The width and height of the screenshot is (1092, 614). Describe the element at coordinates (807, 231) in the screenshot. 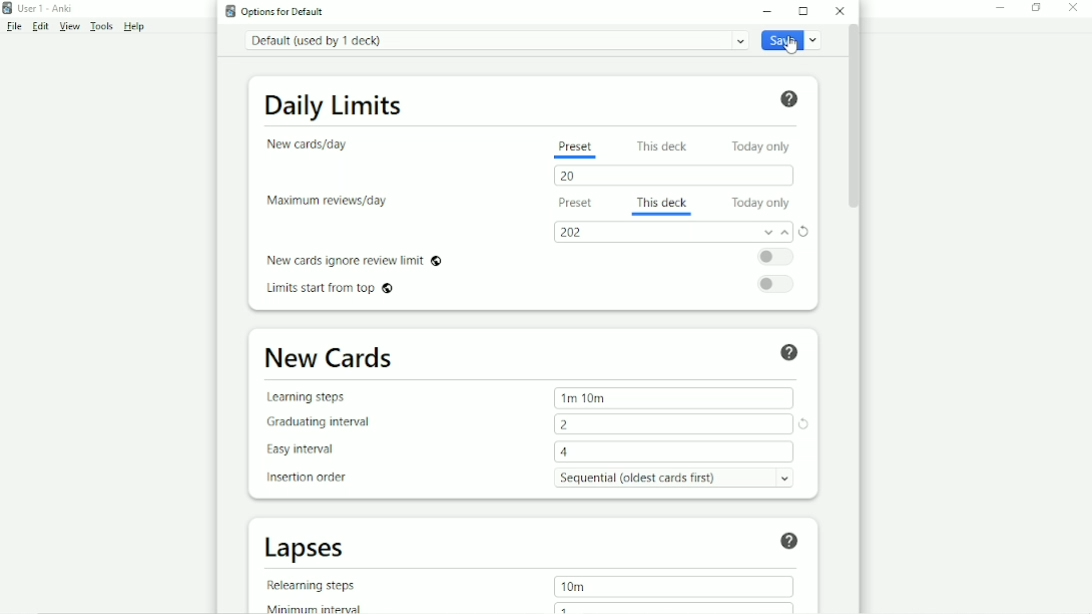

I see `Restore this setting to its default value` at that location.